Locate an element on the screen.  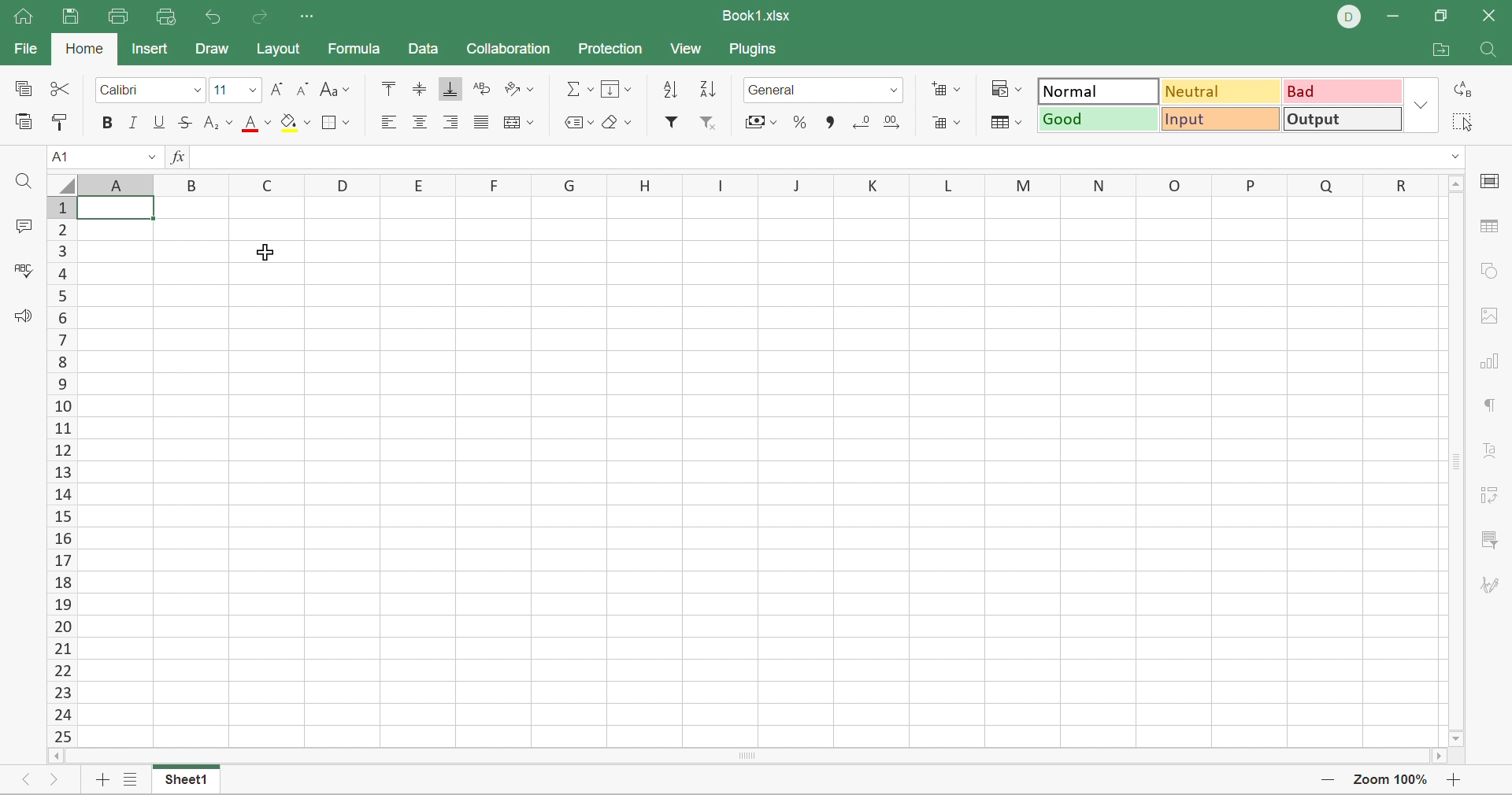
Scroll Right is located at coordinates (1437, 756).